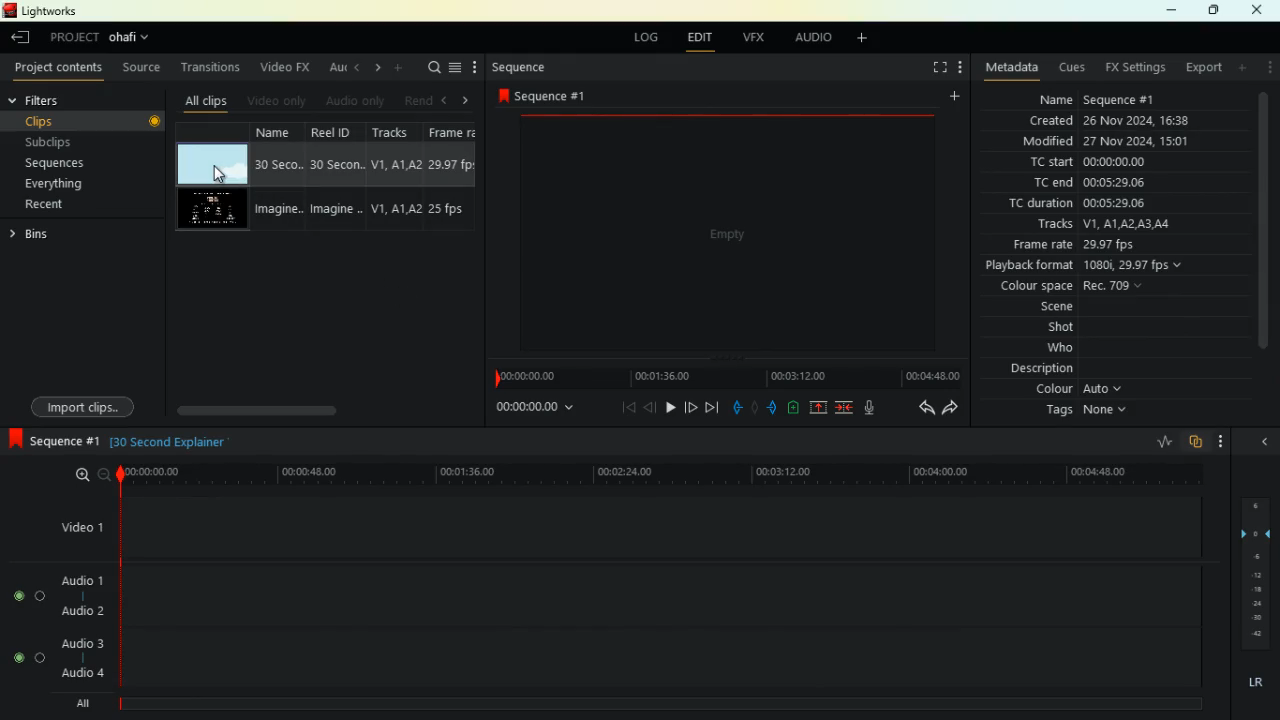 This screenshot has height=720, width=1280. I want to click on project contents, so click(59, 68).